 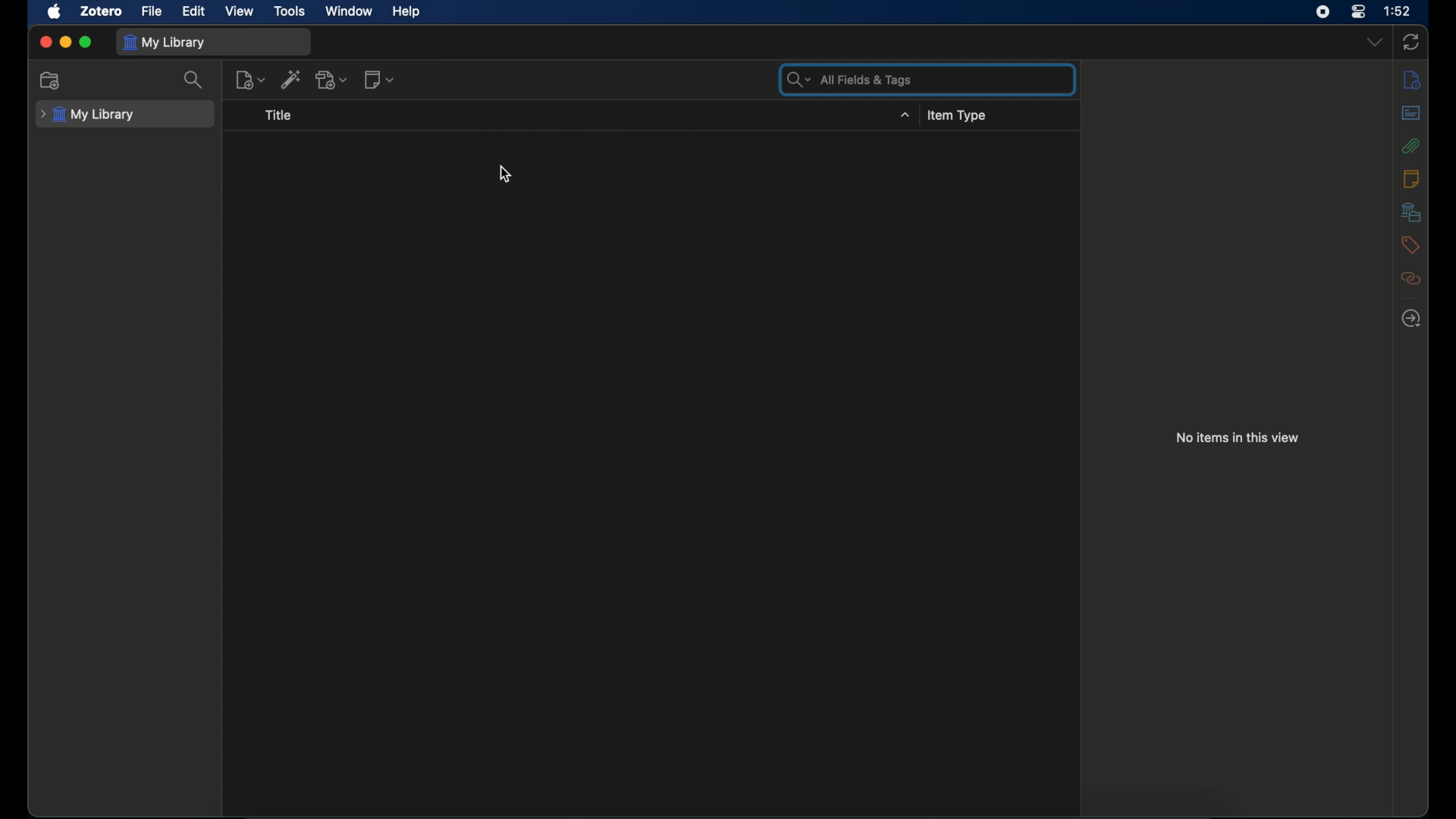 What do you see at coordinates (1411, 278) in the screenshot?
I see `related` at bounding box center [1411, 278].